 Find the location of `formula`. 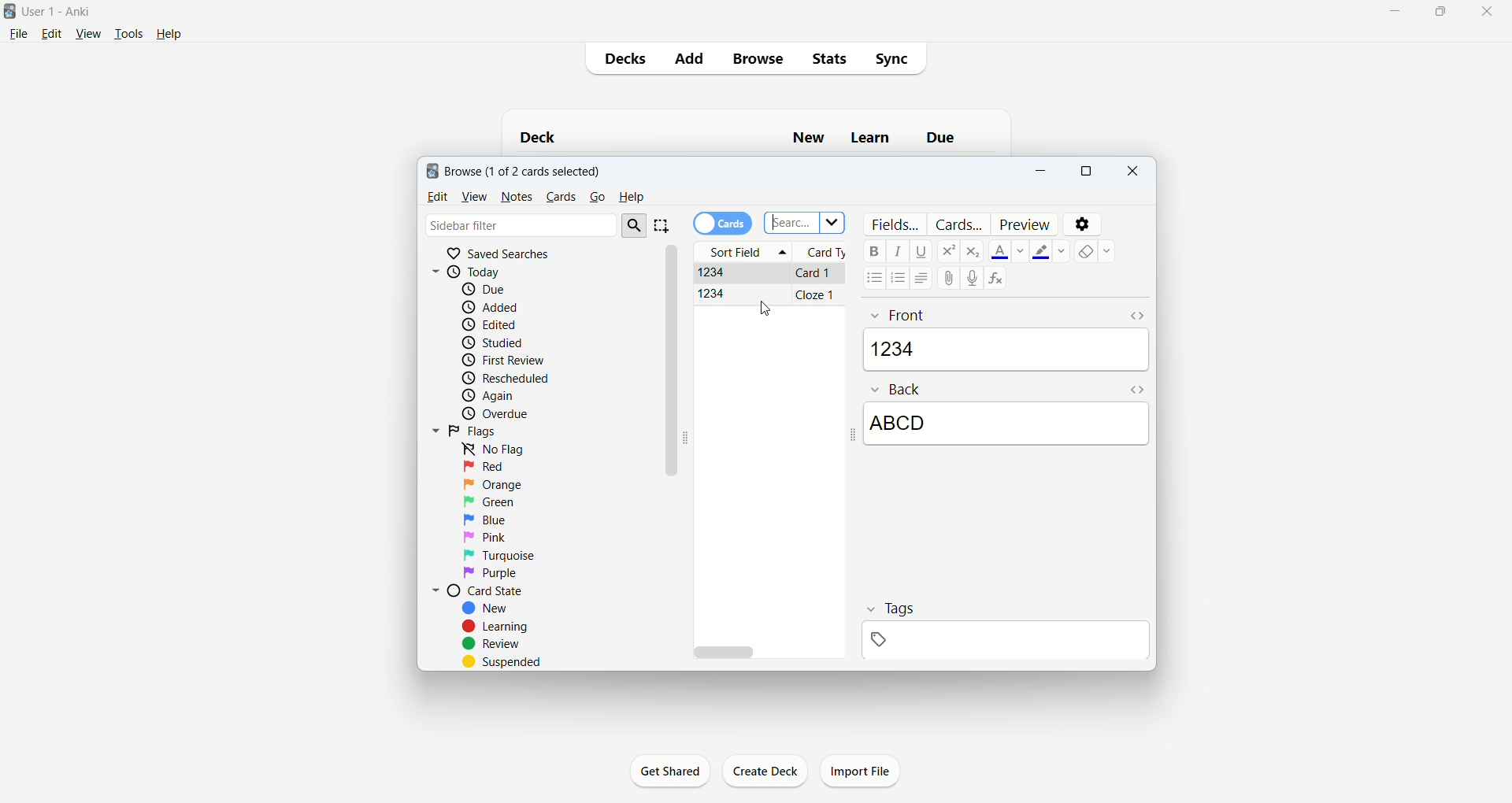

formula is located at coordinates (996, 279).